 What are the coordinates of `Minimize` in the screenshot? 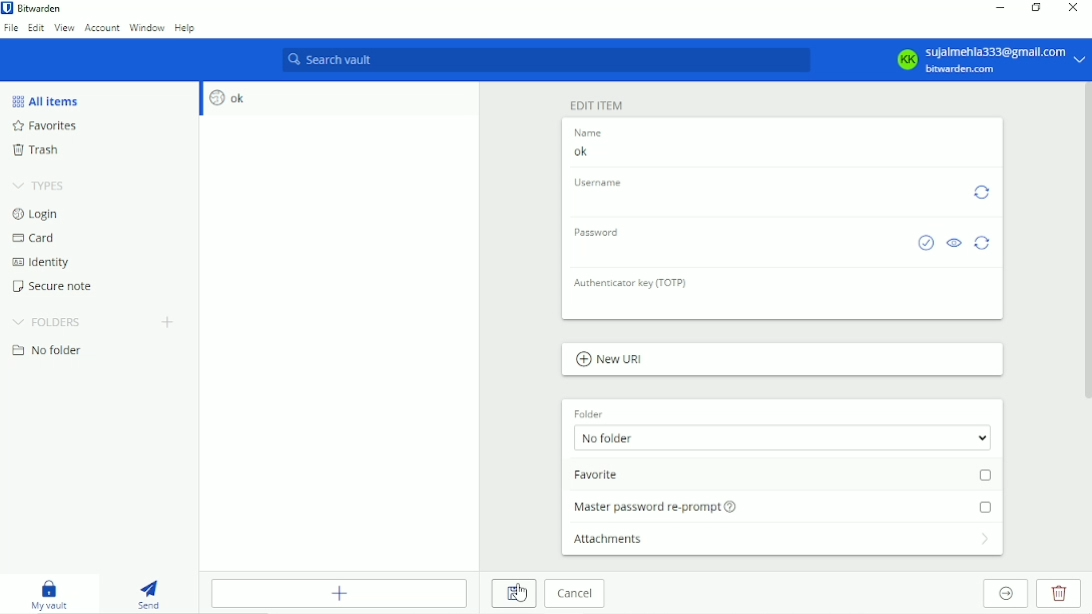 It's located at (1000, 8).